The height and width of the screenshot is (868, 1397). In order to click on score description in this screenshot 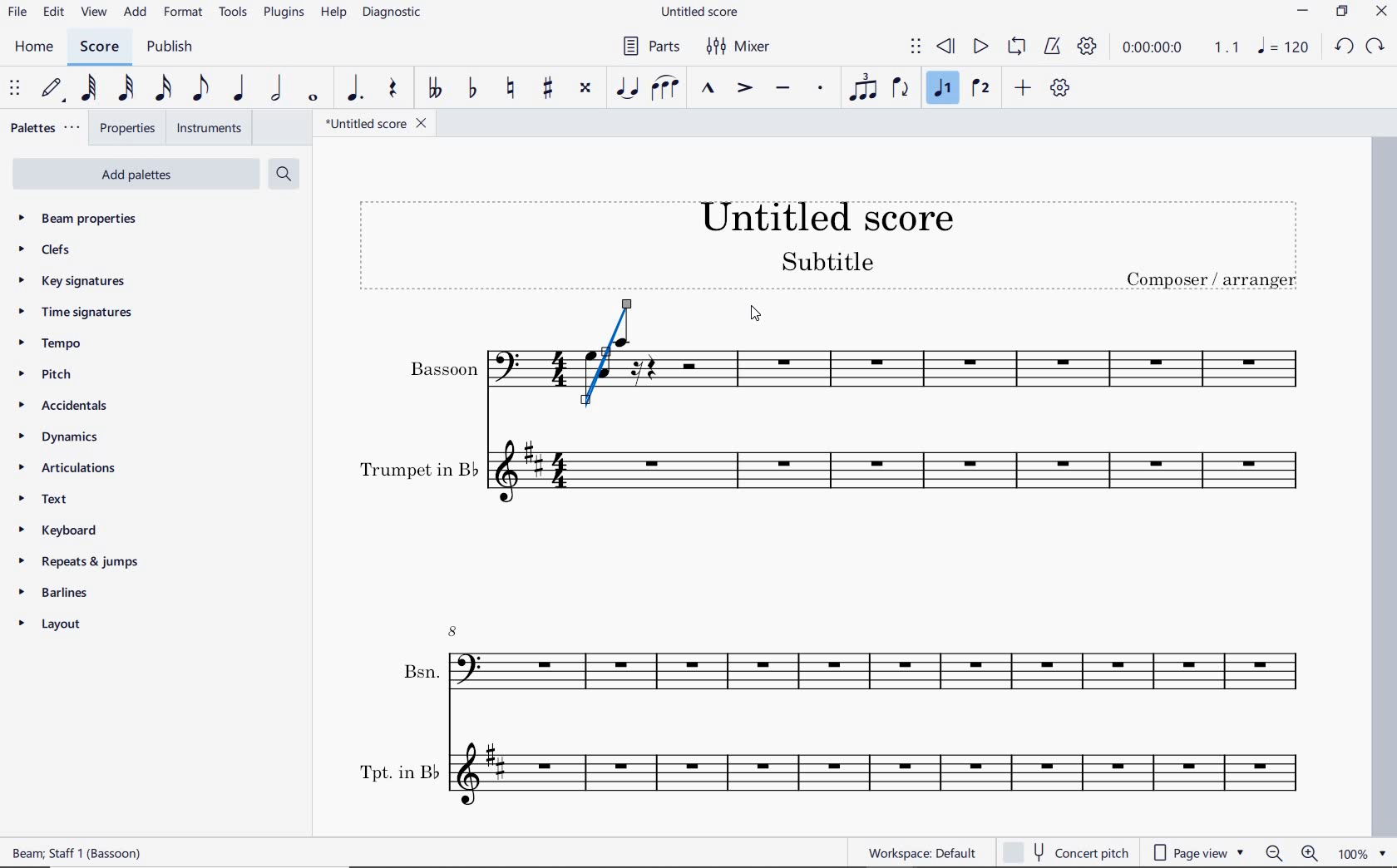, I will do `click(78, 855)`.